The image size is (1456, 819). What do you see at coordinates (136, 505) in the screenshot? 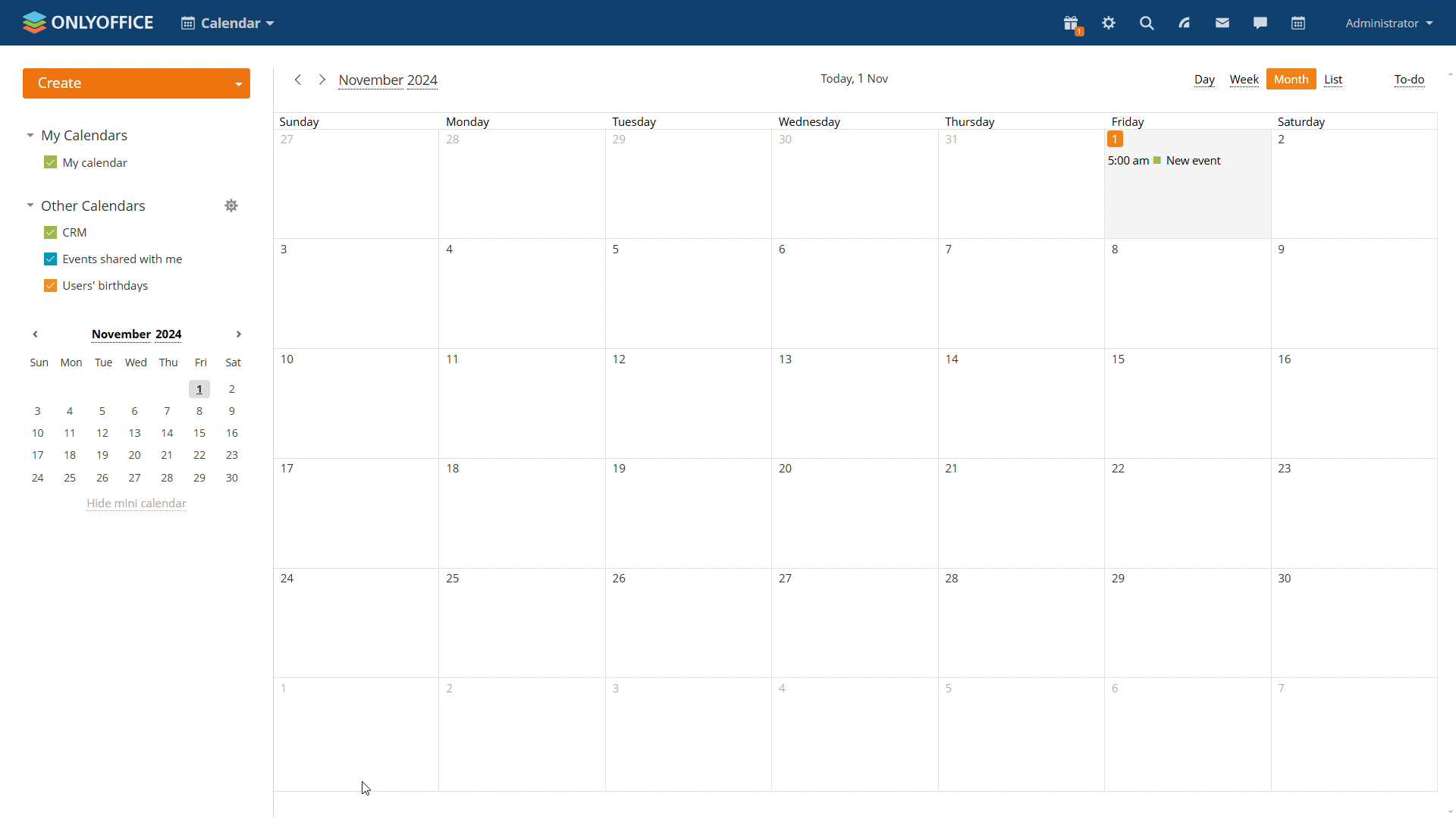
I see `hide mini calendar` at bounding box center [136, 505].